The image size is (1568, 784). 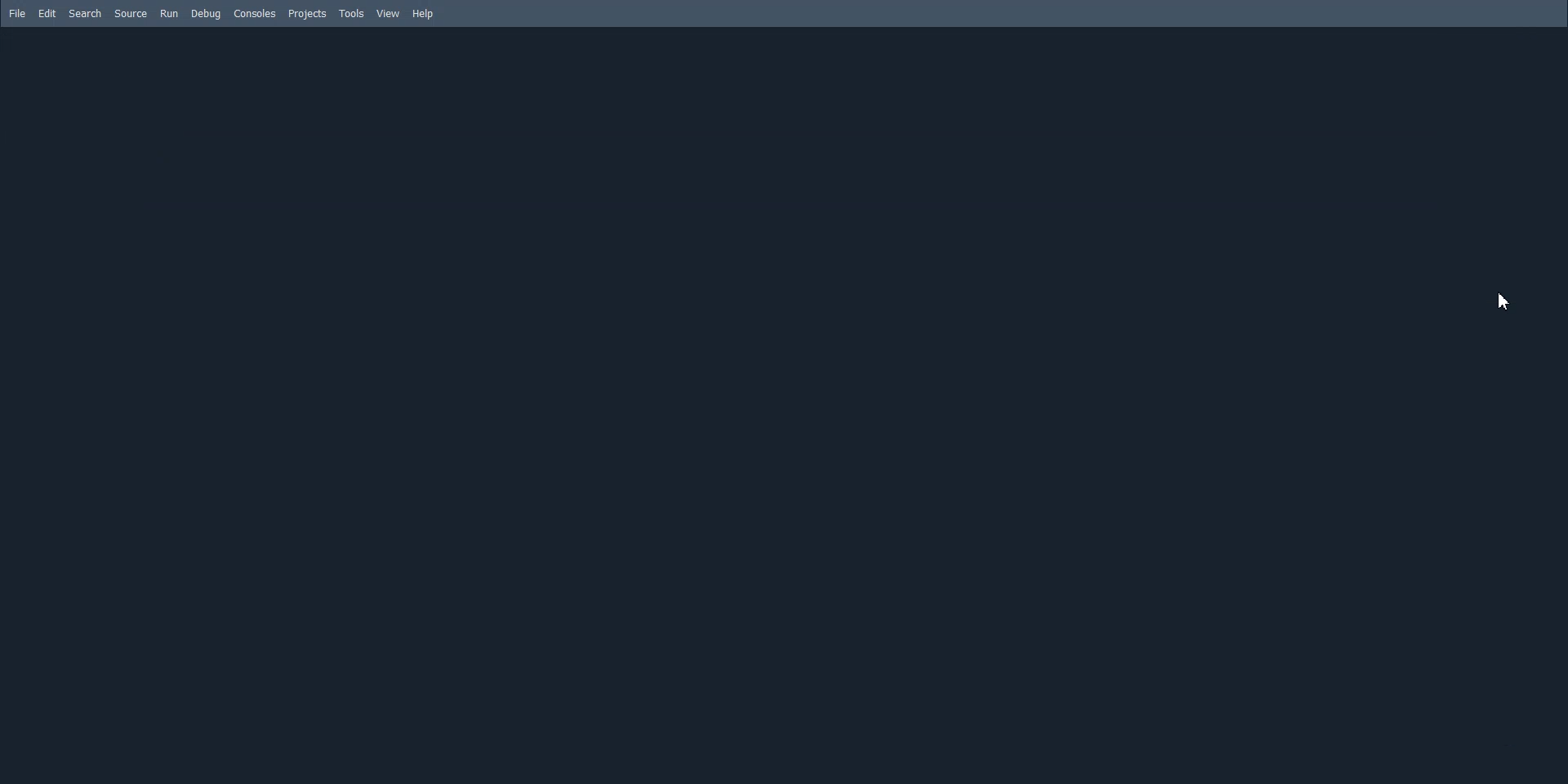 I want to click on Help, so click(x=423, y=15).